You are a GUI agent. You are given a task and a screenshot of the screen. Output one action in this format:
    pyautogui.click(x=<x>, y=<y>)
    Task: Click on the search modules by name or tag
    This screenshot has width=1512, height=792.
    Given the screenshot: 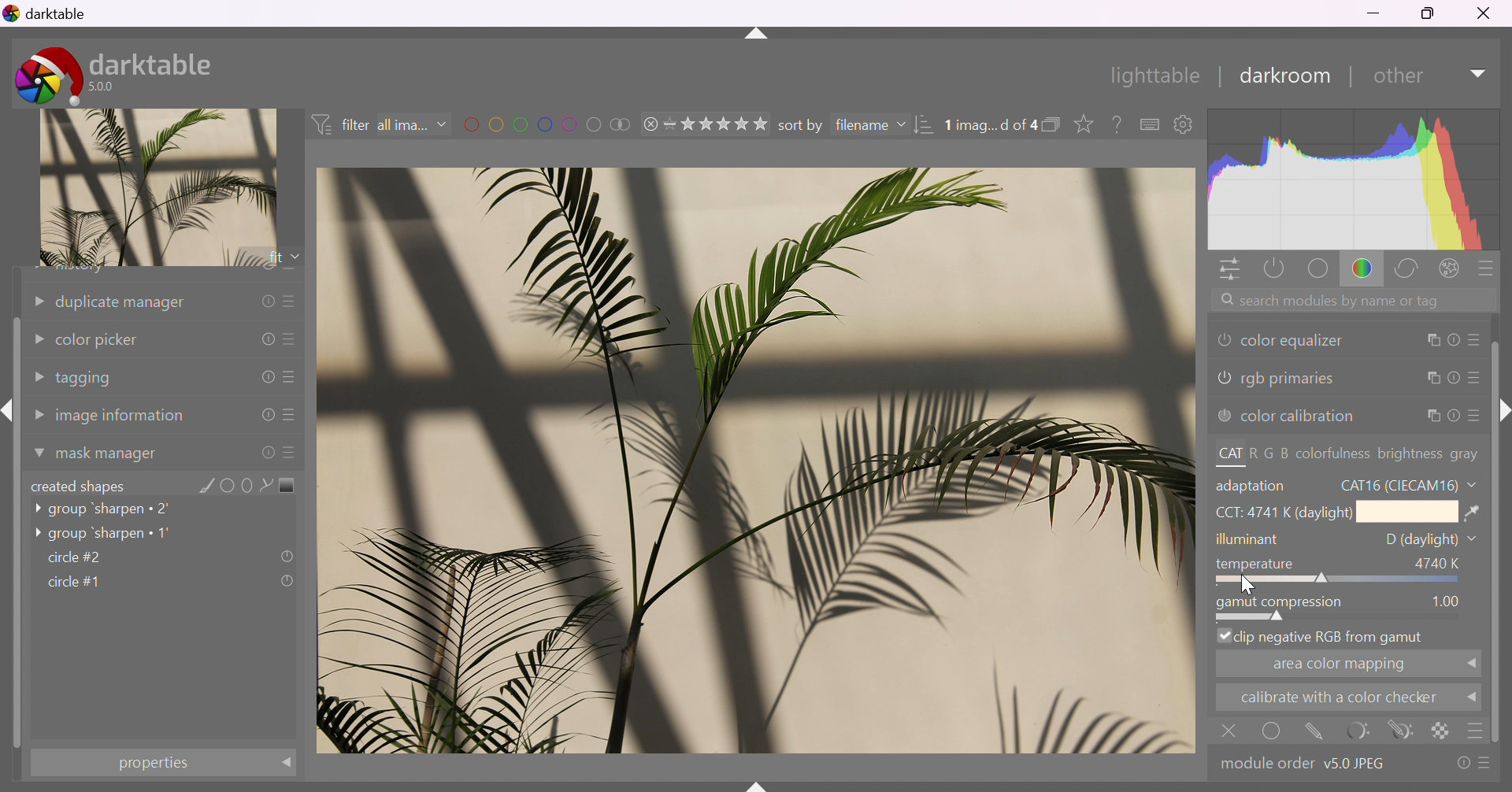 What is the action you would take?
    pyautogui.click(x=1333, y=300)
    